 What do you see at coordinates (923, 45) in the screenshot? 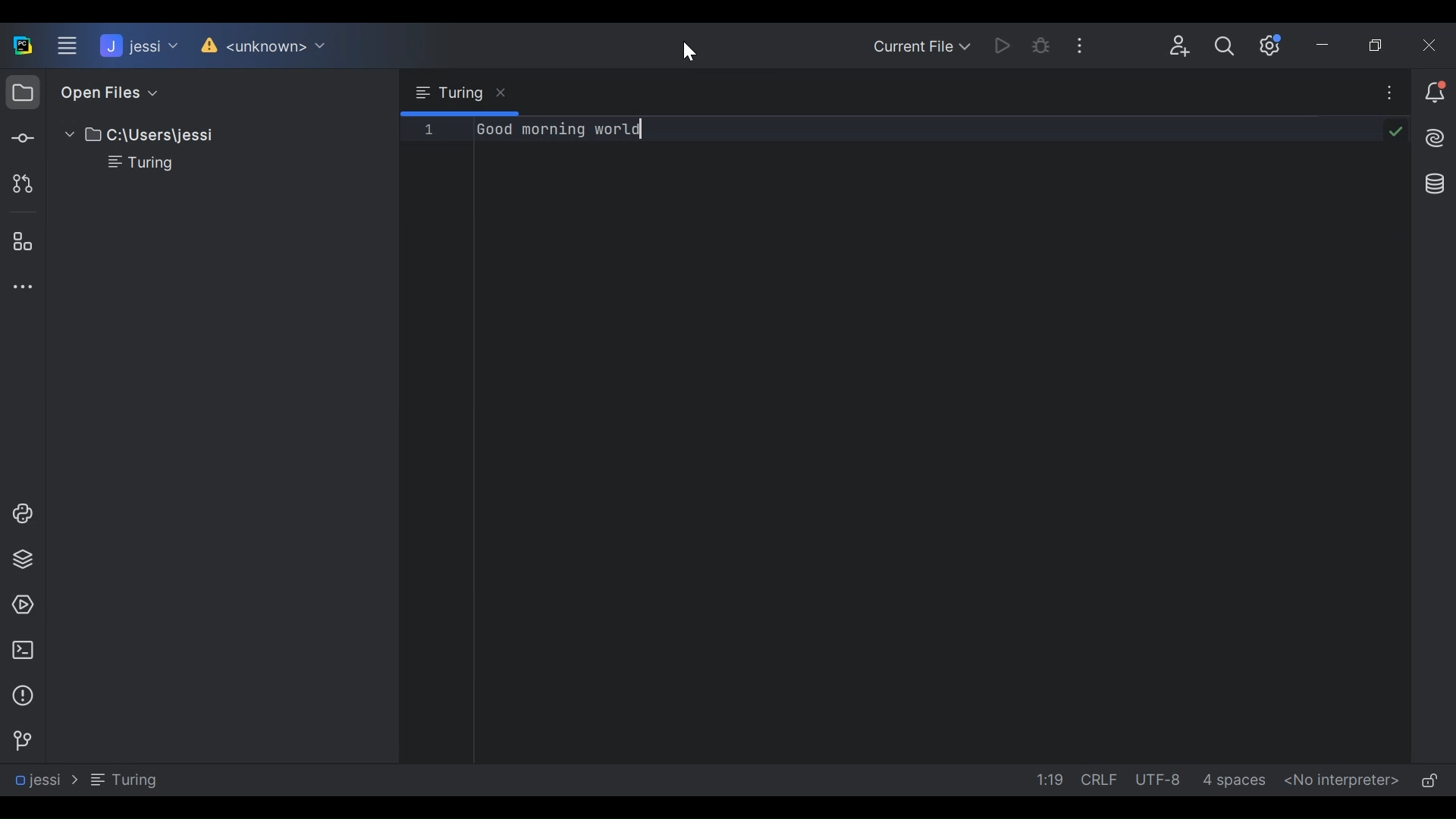
I see `Current File` at bounding box center [923, 45].